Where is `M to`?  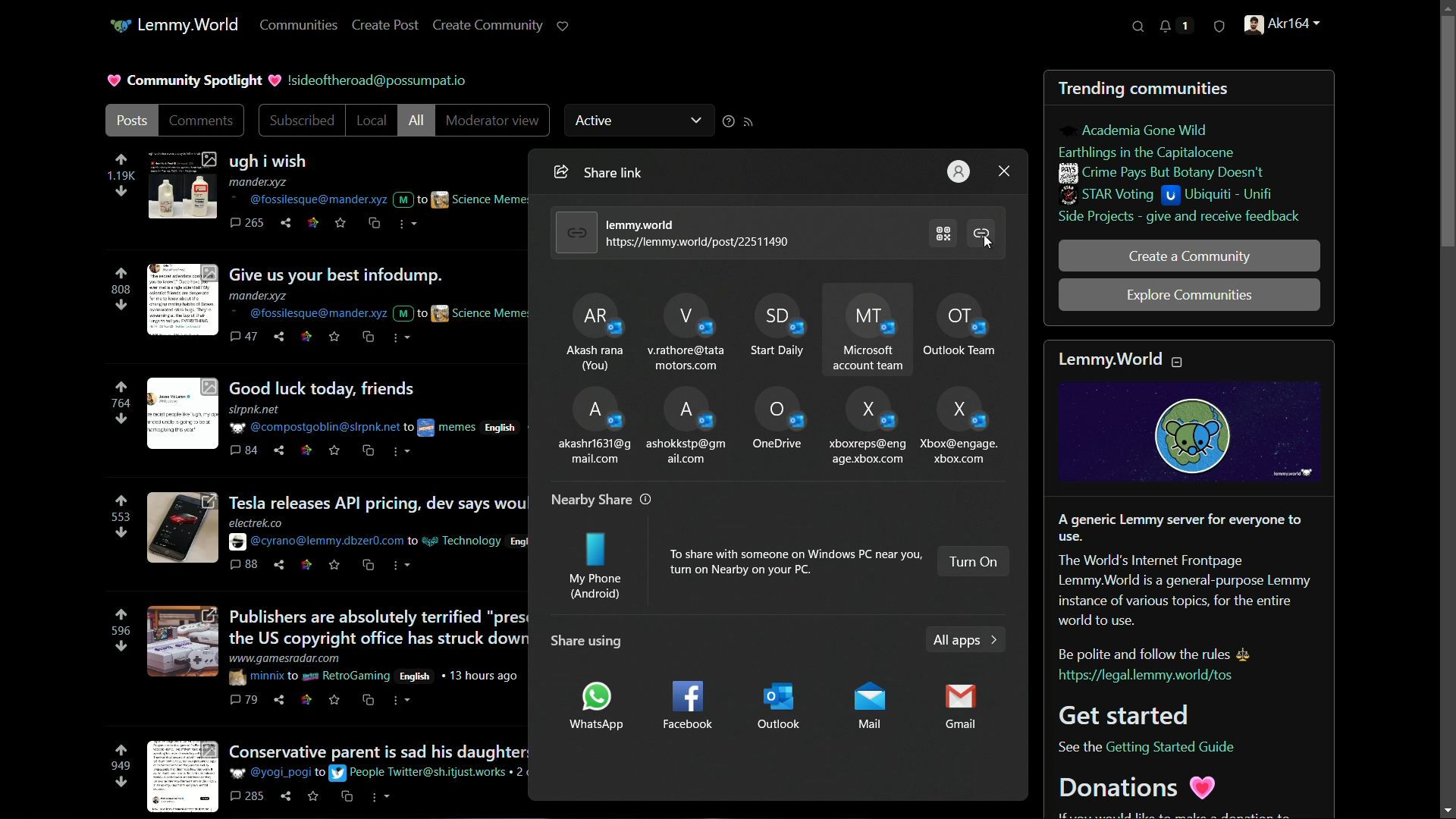 M to is located at coordinates (410, 313).